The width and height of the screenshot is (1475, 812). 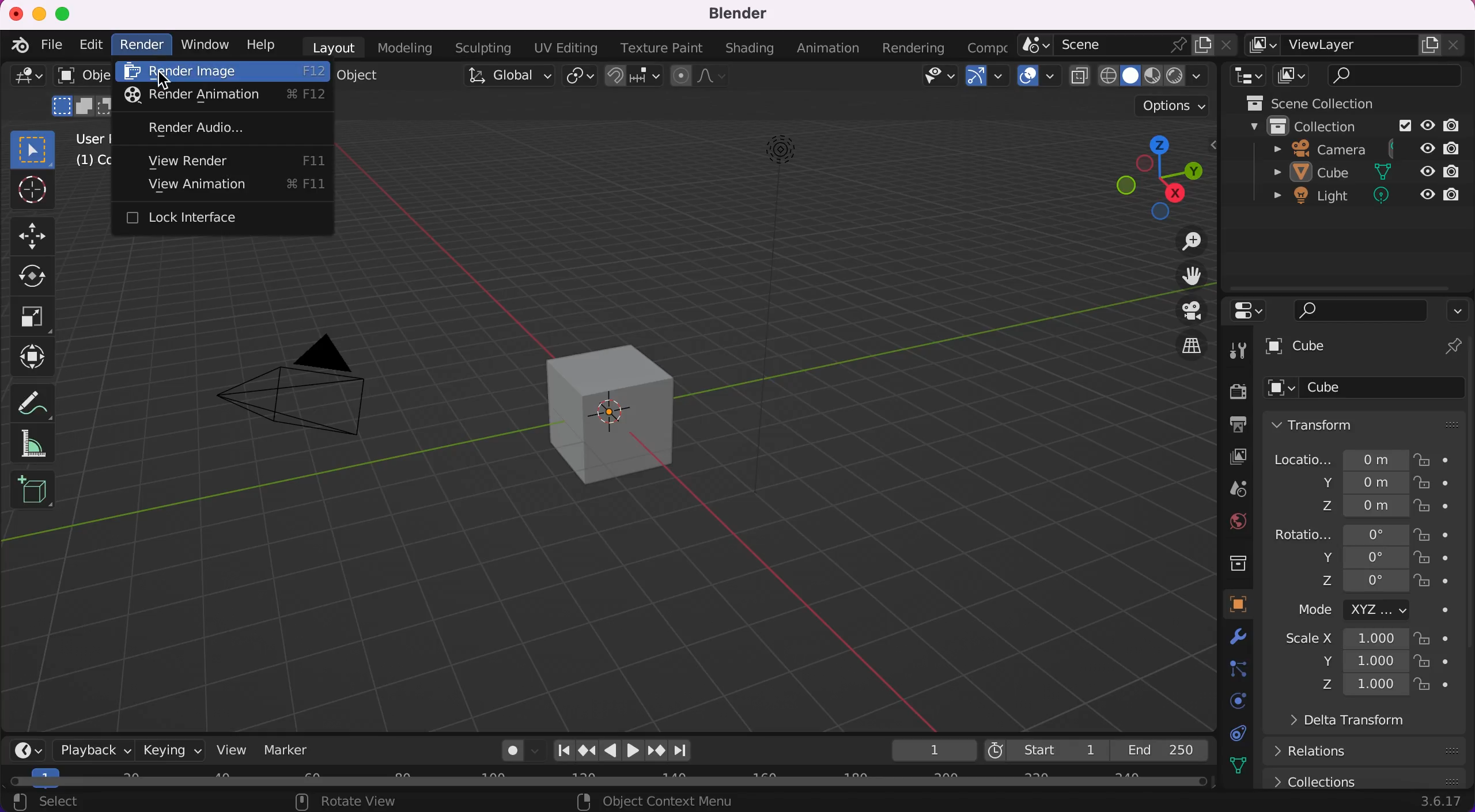 I want to click on scale x 1.000, so click(x=1344, y=639).